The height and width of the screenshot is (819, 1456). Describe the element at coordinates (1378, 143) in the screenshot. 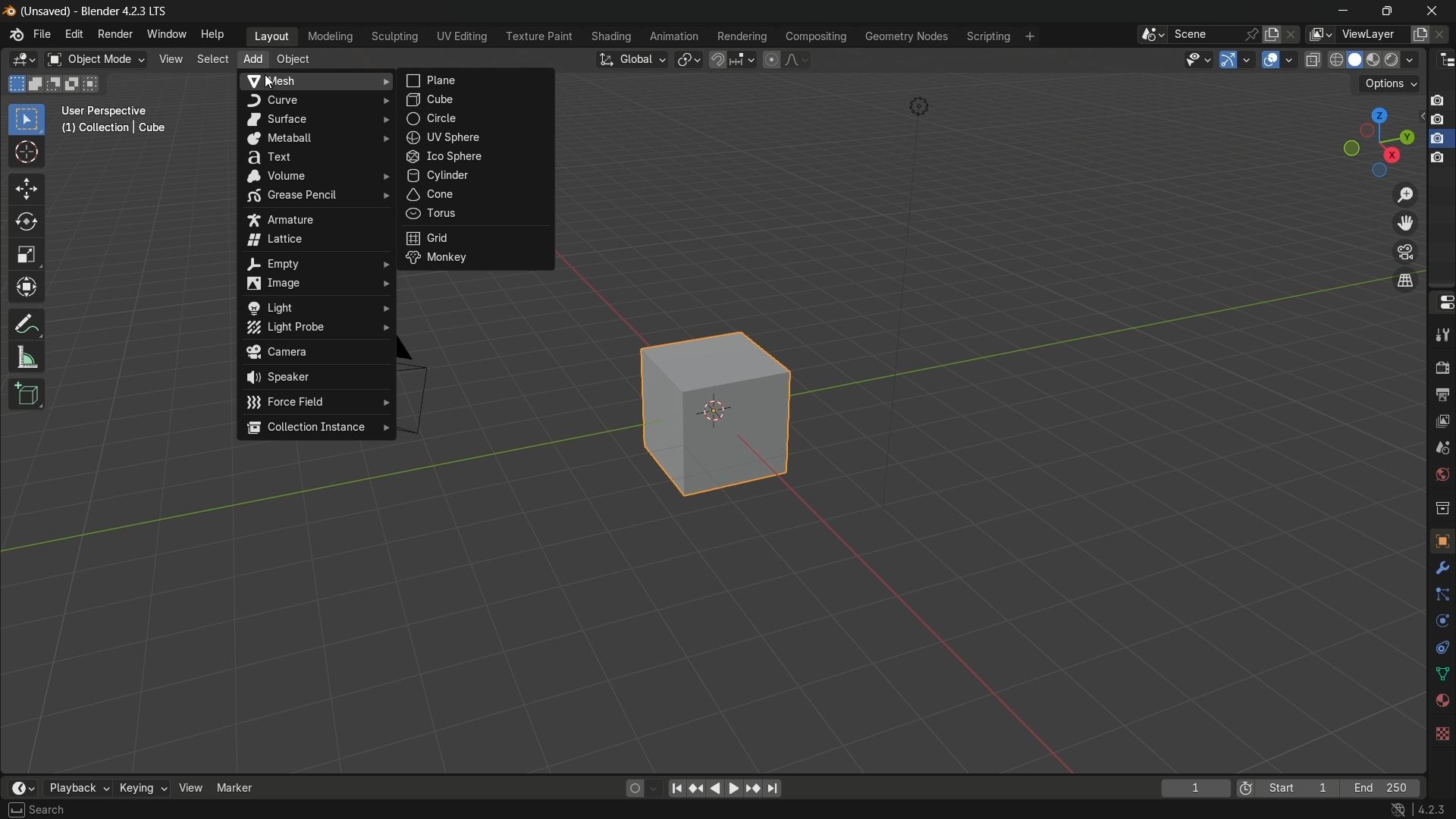

I see `preset viewpoint` at that location.